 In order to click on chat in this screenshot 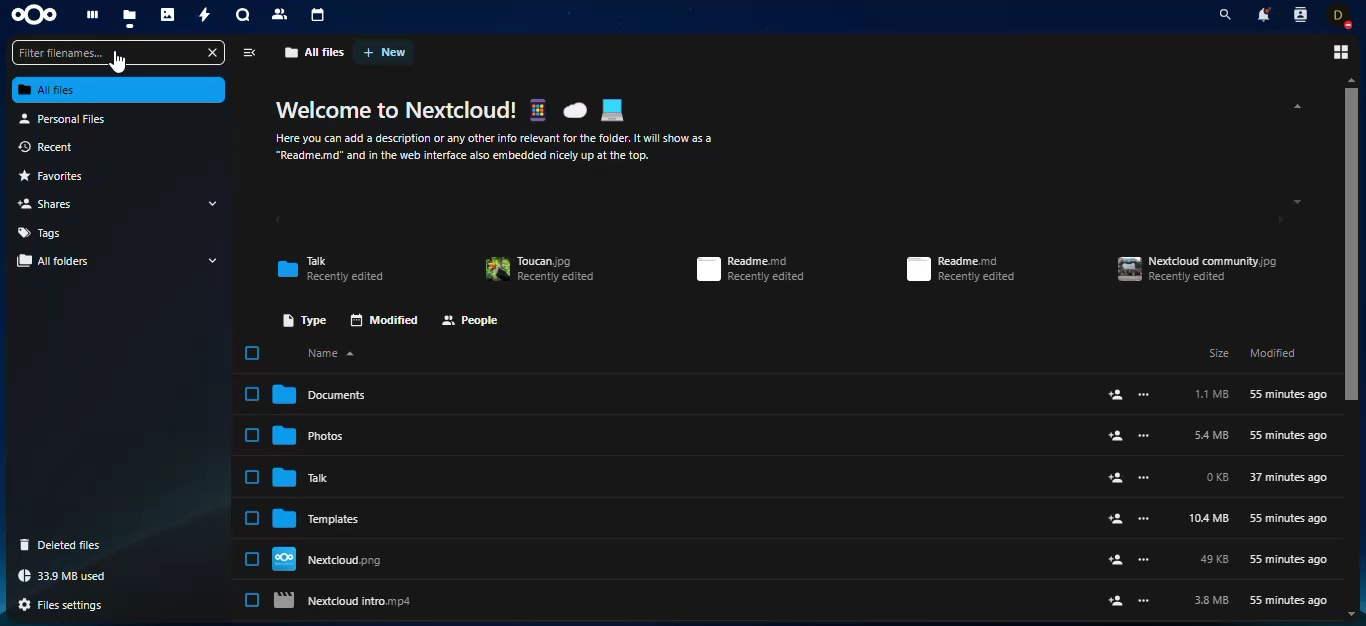, I will do `click(243, 17)`.